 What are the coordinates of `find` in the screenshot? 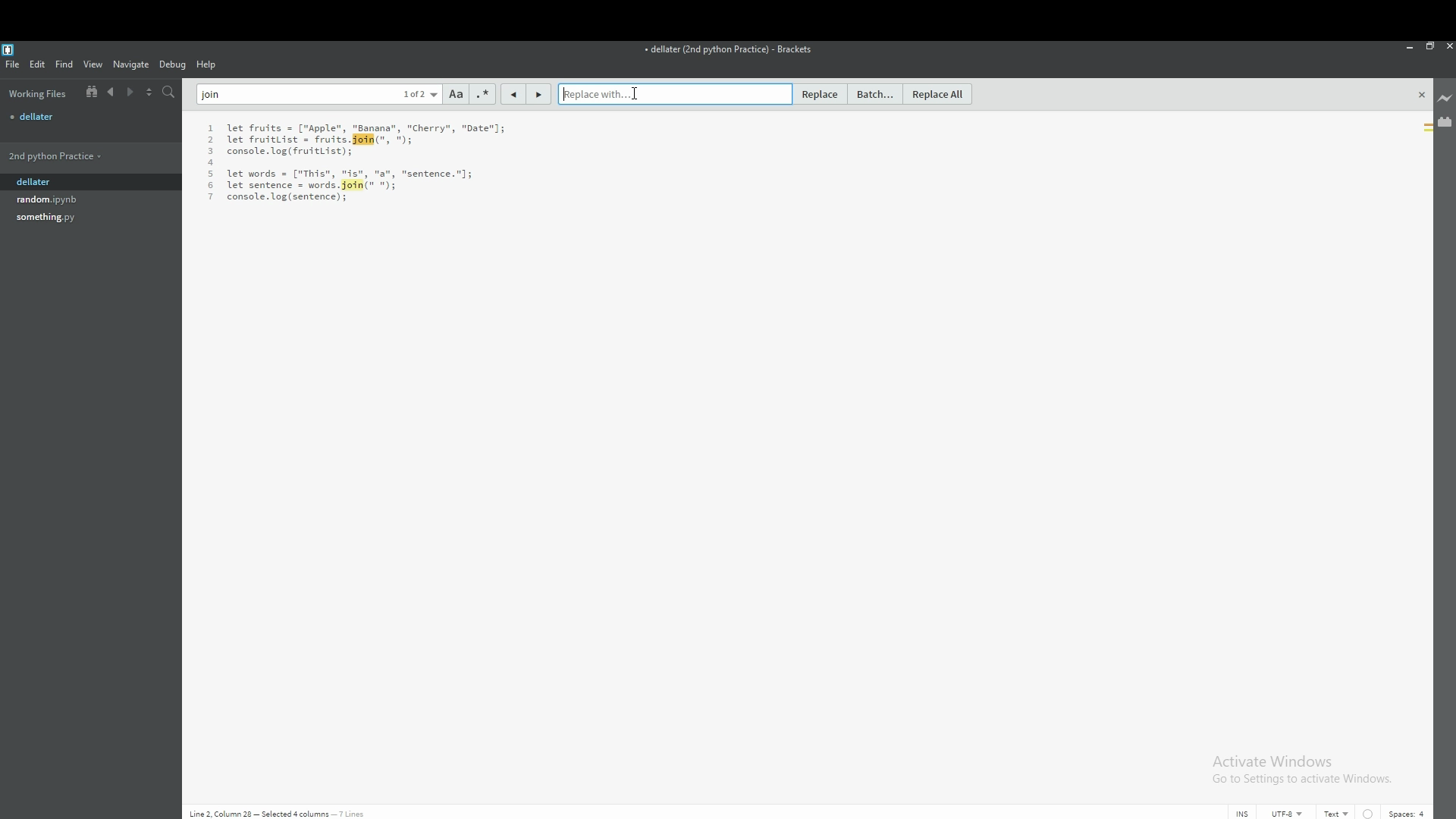 It's located at (65, 64).